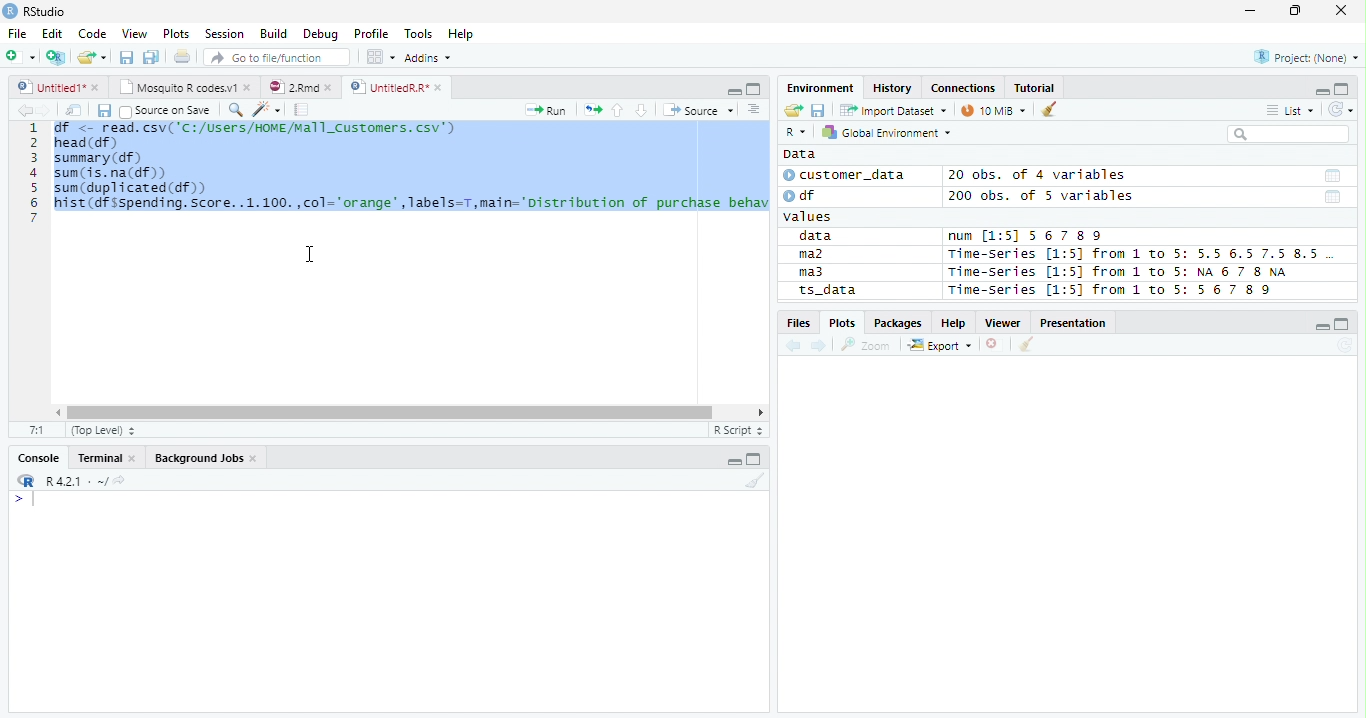  I want to click on 20 obs. of 4 variables, so click(1038, 177).